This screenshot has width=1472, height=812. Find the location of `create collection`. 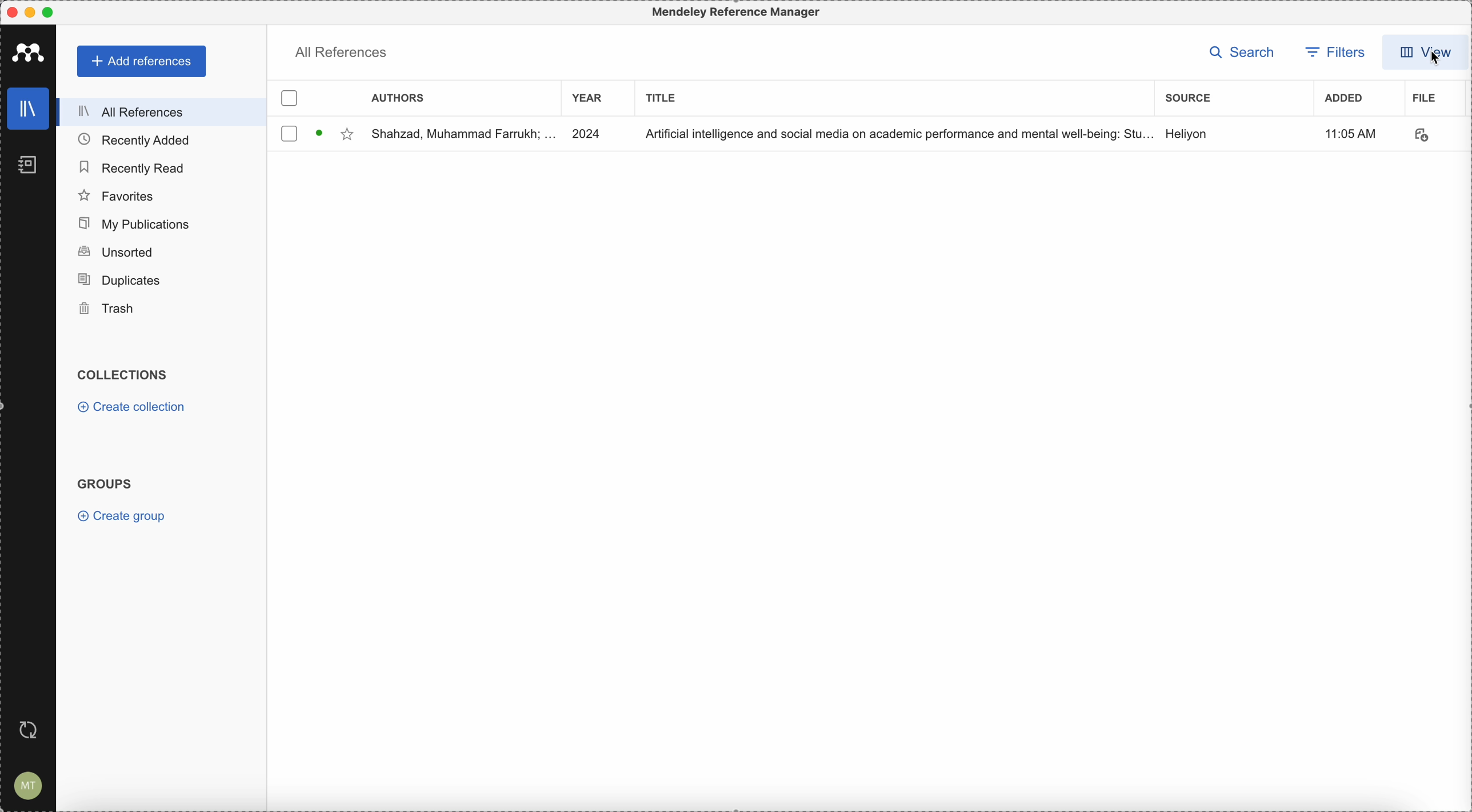

create collection is located at coordinates (134, 407).